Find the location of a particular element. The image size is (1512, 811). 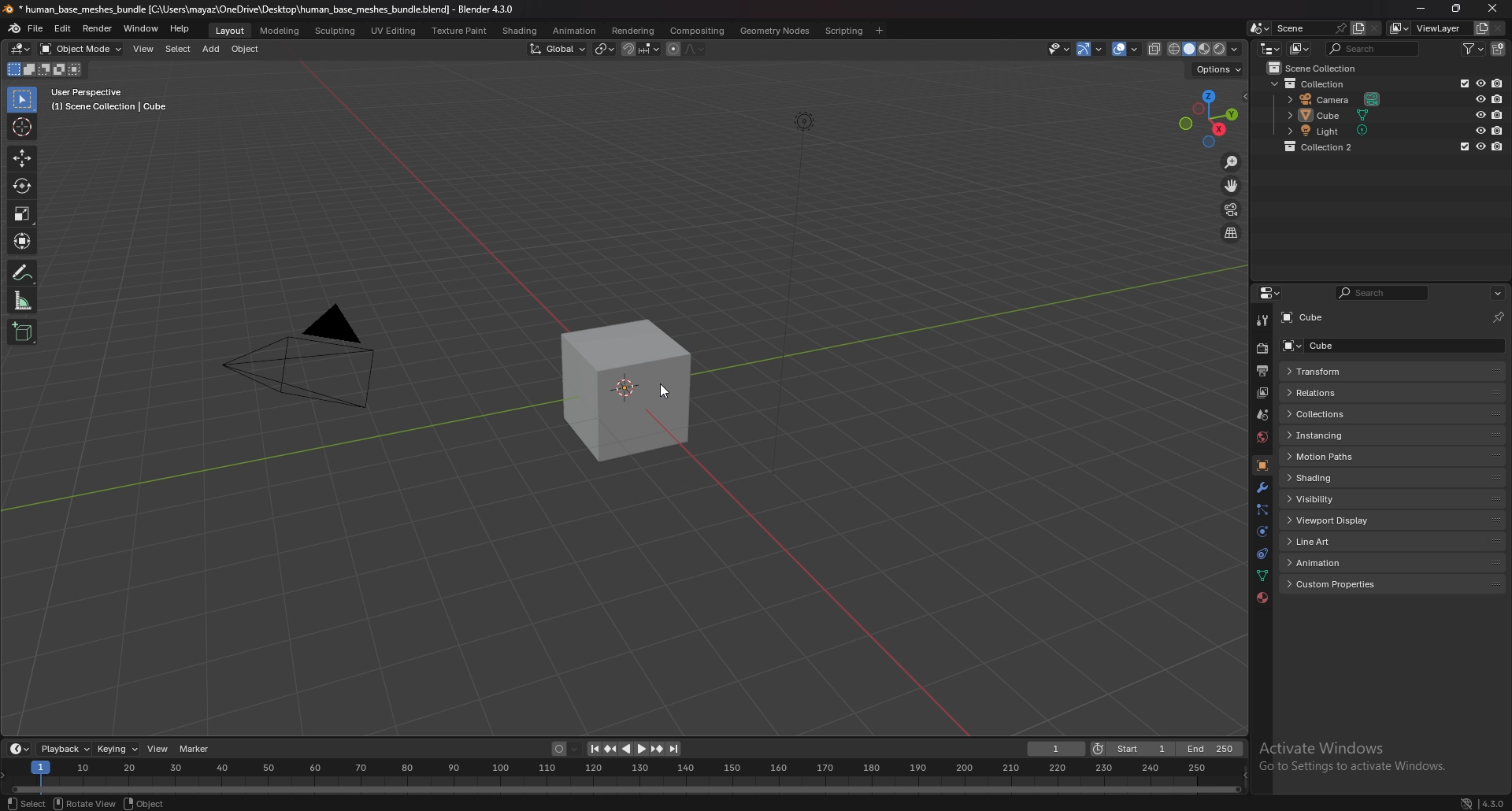

render is located at coordinates (98, 28).